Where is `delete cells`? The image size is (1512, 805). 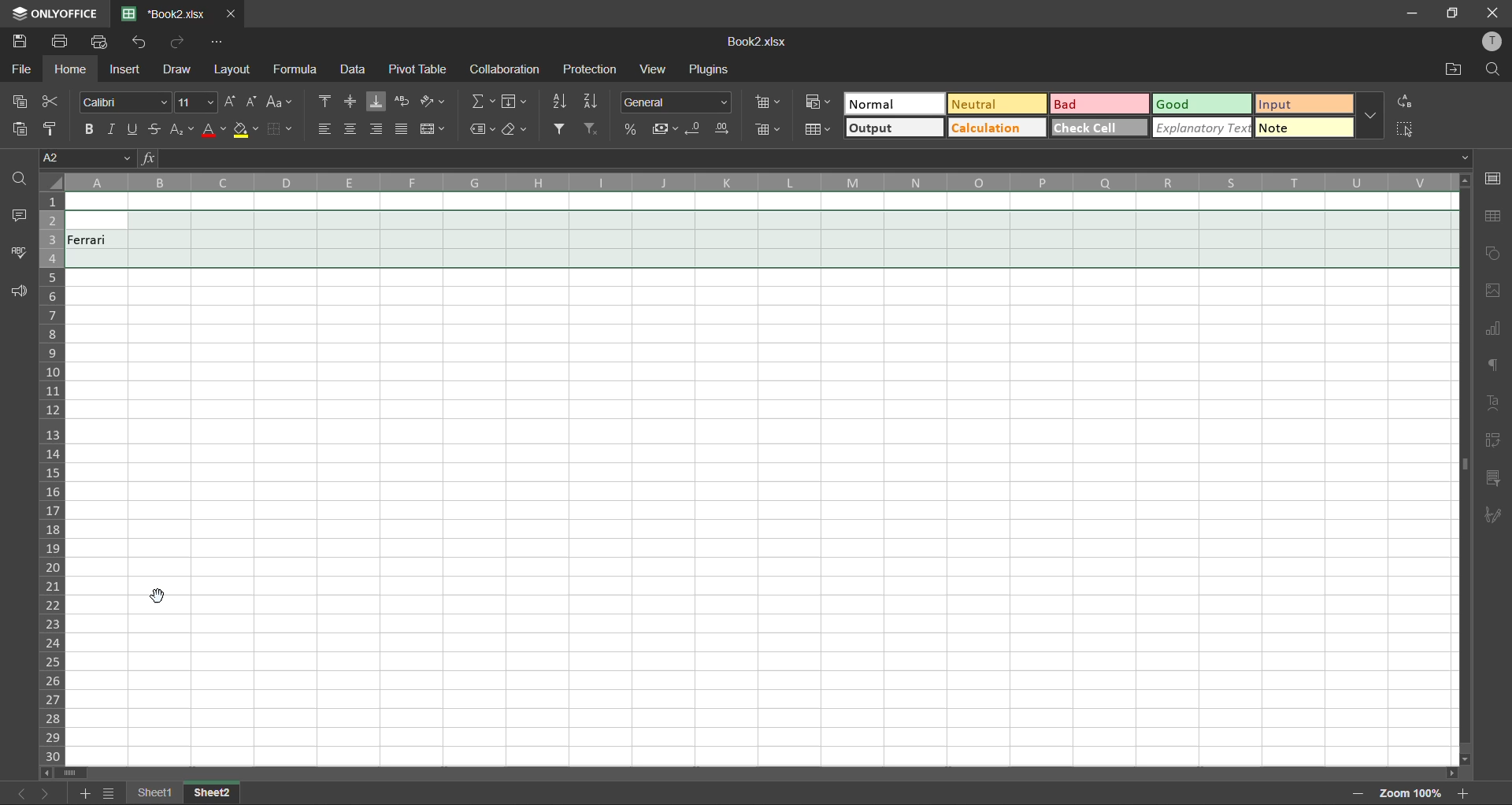
delete cells is located at coordinates (769, 131).